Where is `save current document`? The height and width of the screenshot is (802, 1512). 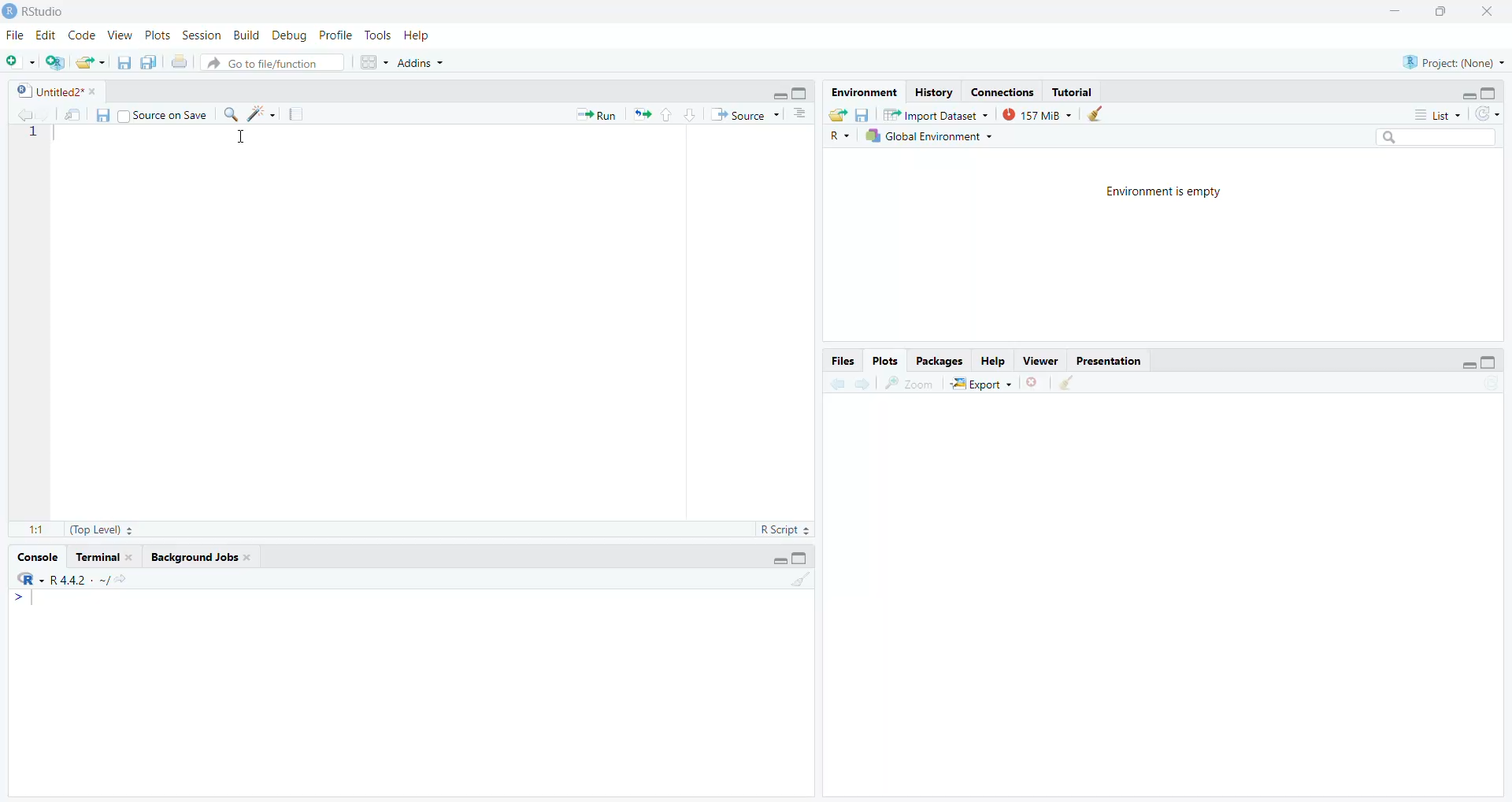
save current document is located at coordinates (102, 113).